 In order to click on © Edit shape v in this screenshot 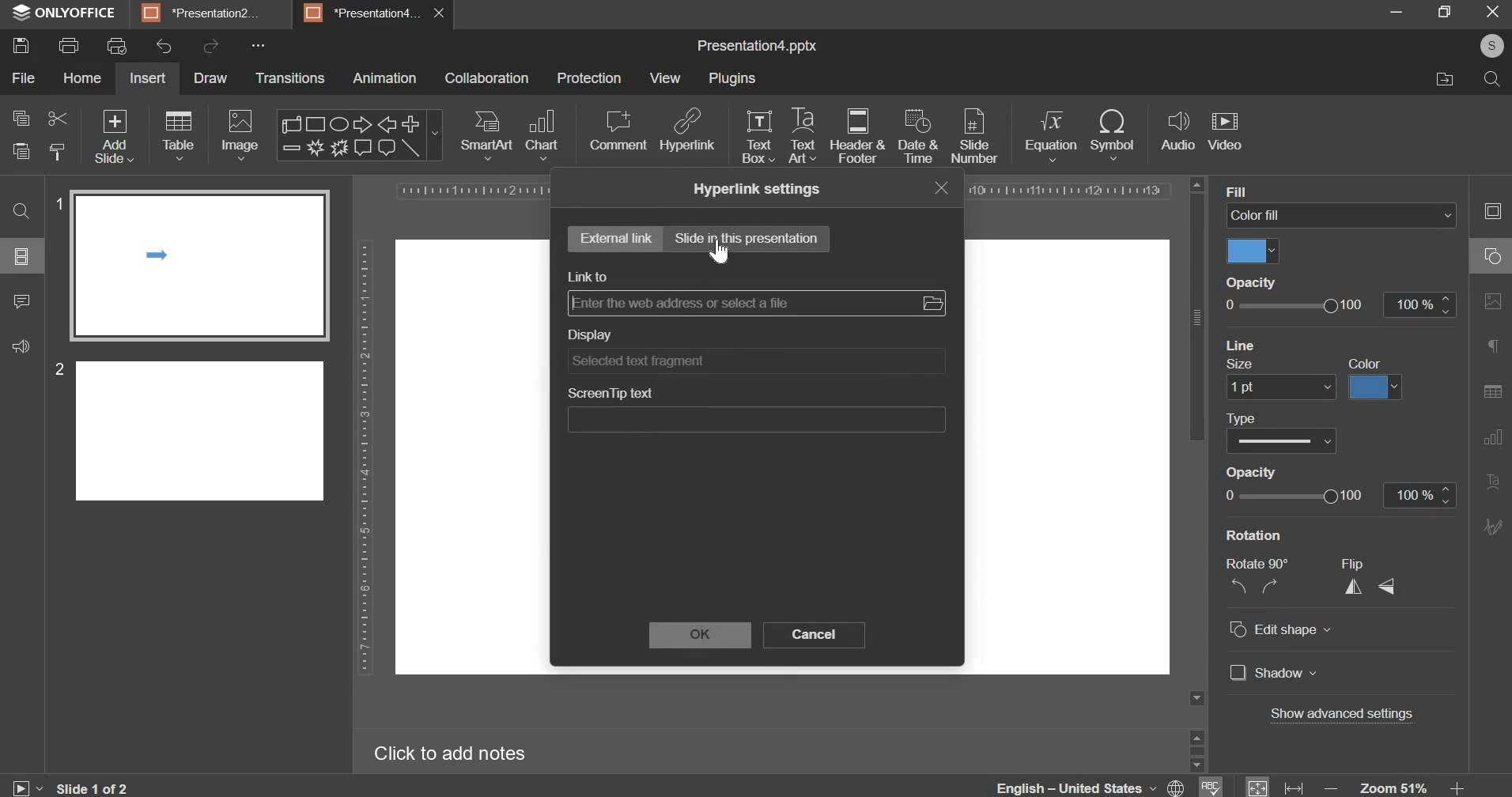, I will do `click(1283, 633)`.